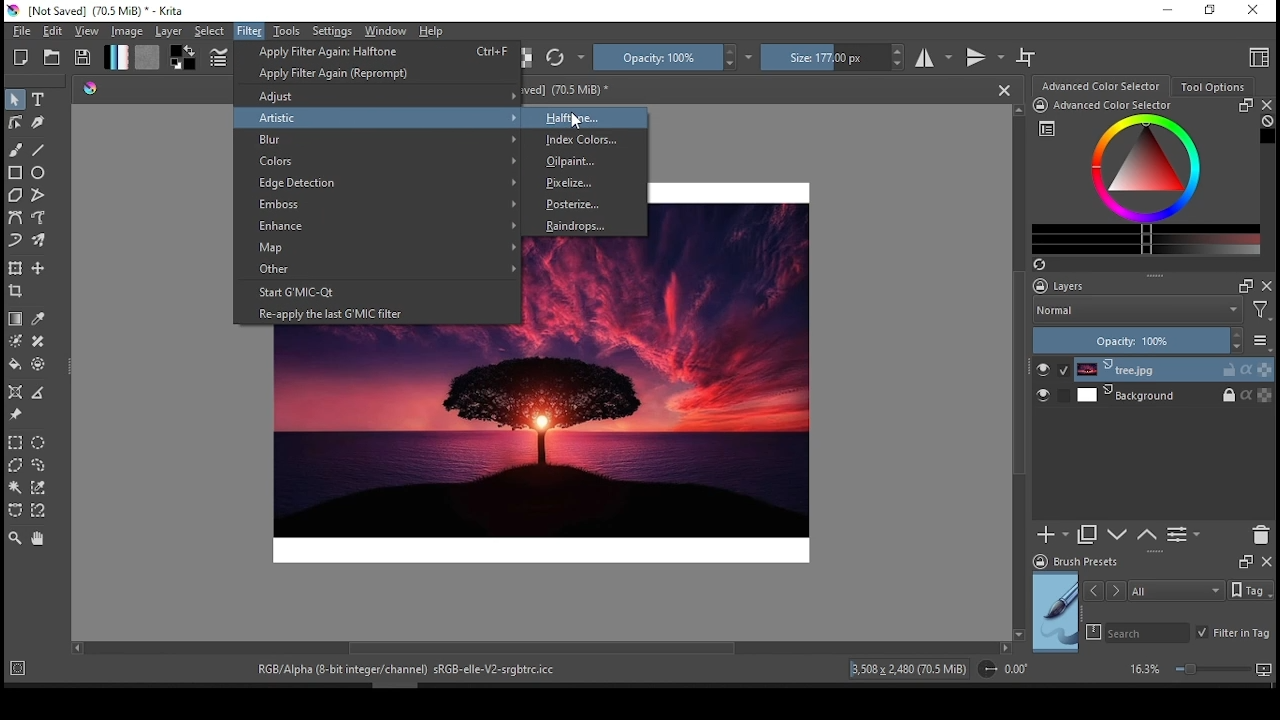 The height and width of the screenshot is (720, 1280). I want to click on size, so click(831, 57).